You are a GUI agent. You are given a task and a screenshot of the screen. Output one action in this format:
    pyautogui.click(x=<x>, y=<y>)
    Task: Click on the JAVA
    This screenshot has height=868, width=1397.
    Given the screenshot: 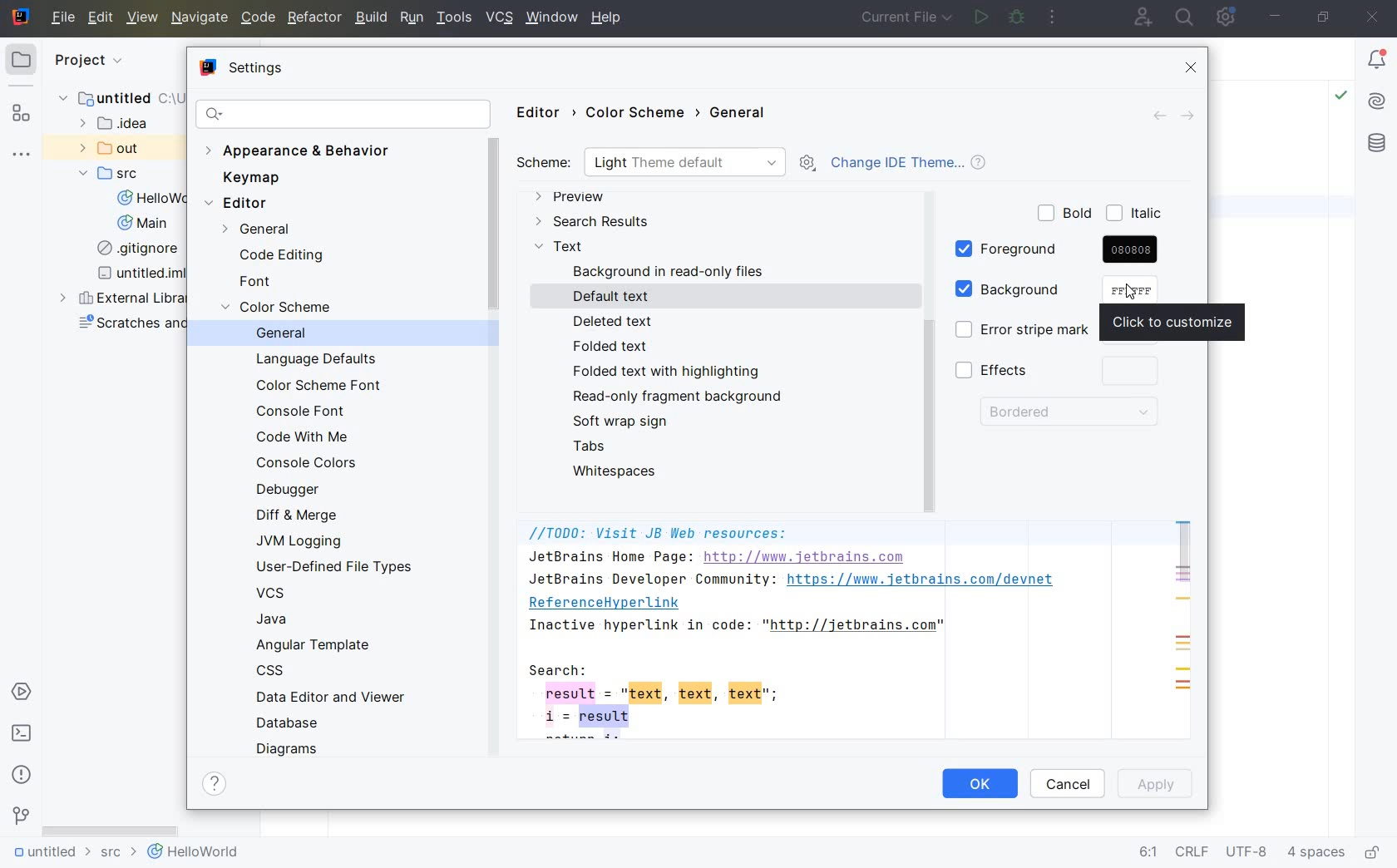 What is the action you would take?
    pyautogui.click(x=289, y=619)
    